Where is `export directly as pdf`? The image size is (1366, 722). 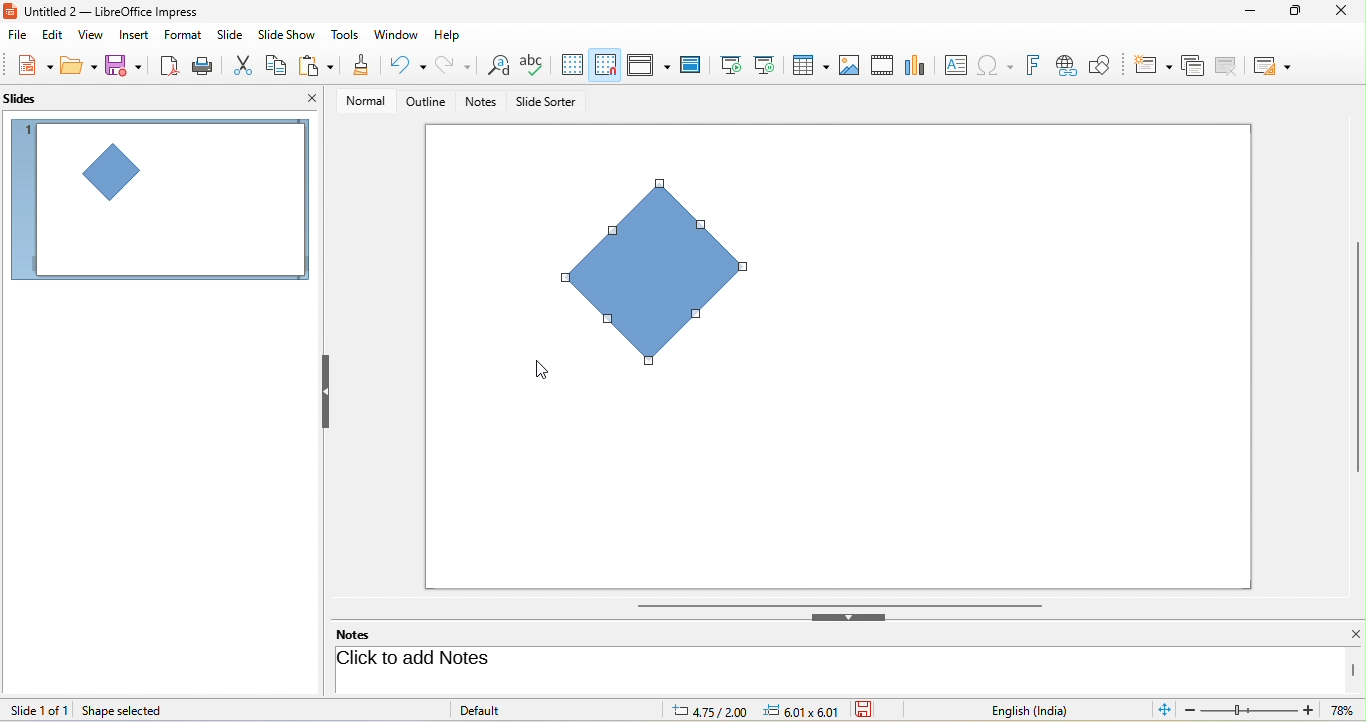 export directly as pdf is located at coordinates (171, 66).